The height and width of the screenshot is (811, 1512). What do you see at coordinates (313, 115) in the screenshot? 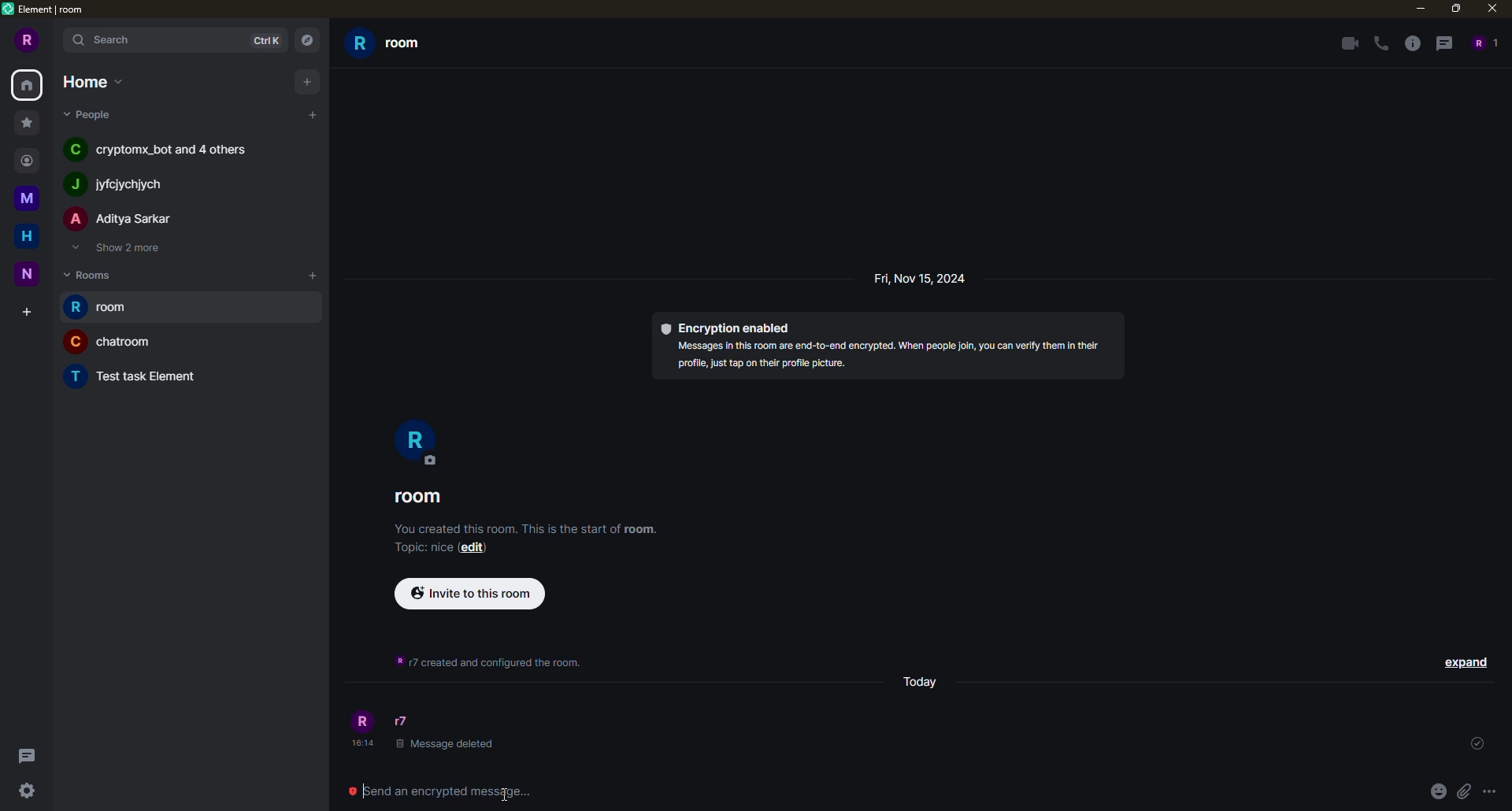
I see `add` at bounding box center [313, 115].